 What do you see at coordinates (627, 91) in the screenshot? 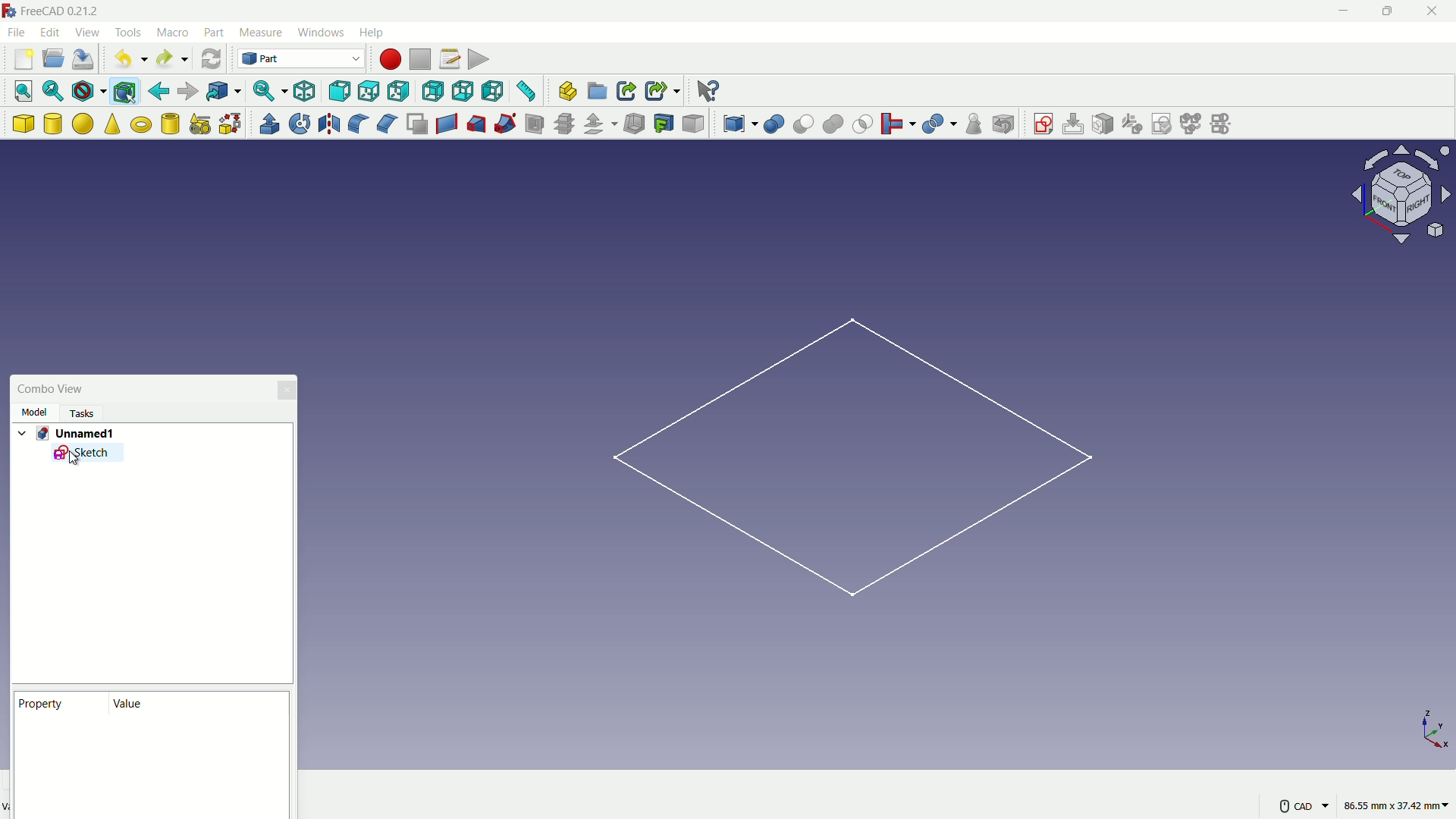
I see `create link` at bounding box center [627, 91].